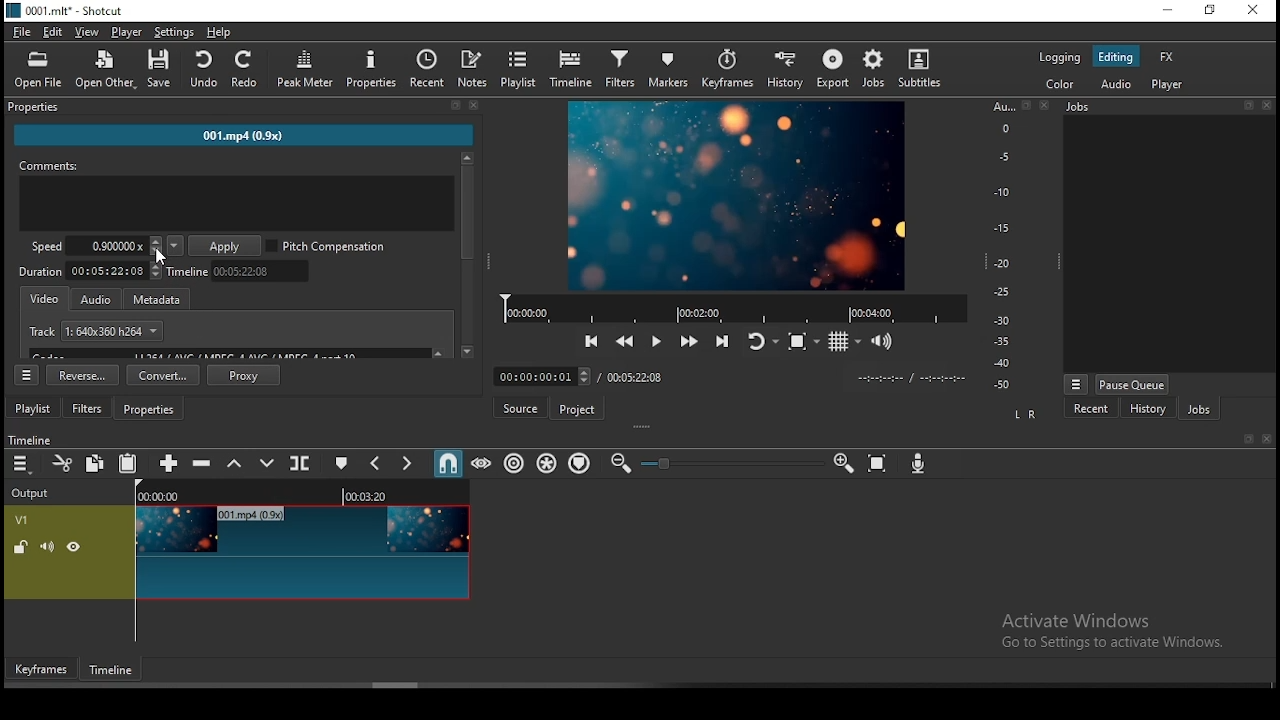 The height and width of the screenshot is (720, 1280). I want to click on ripple, so click(513, 462).